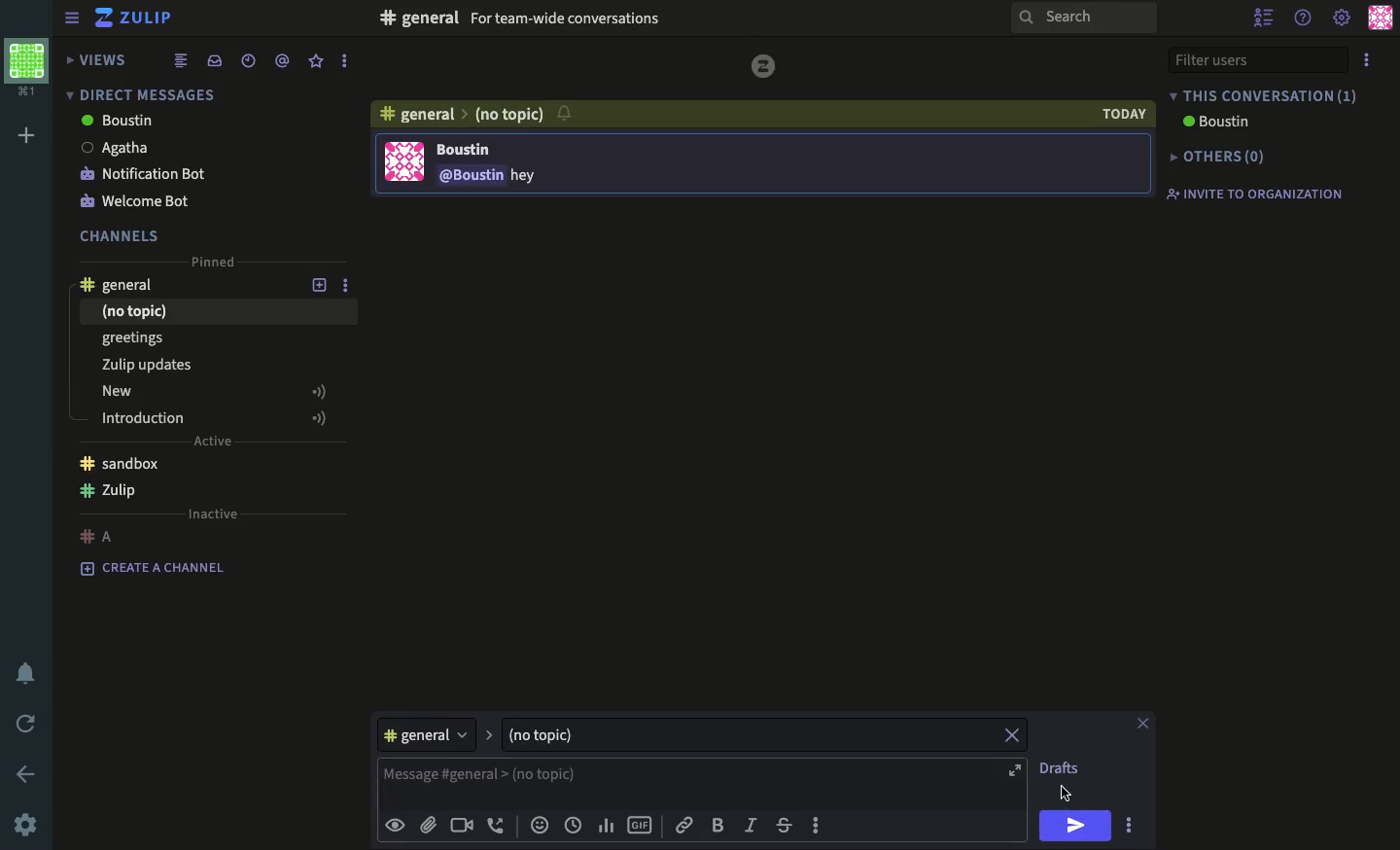 The height and width of the screenshot is (850, 1400). I want to click on hide user list, so click(1264, 15).